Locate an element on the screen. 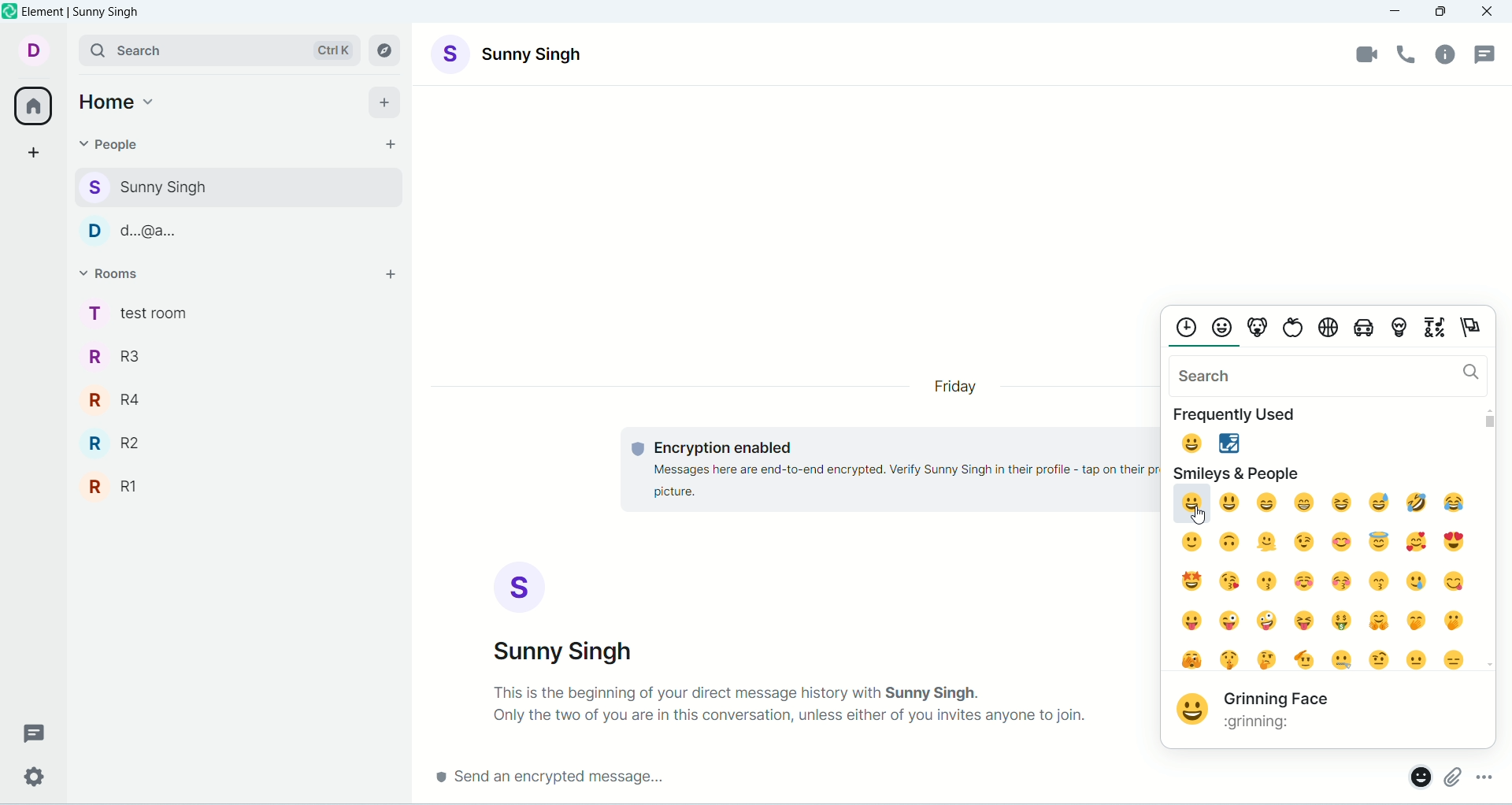 The width and height of the screenshot is (1512, 805). frequently used is located at coordinates (1245, 414).